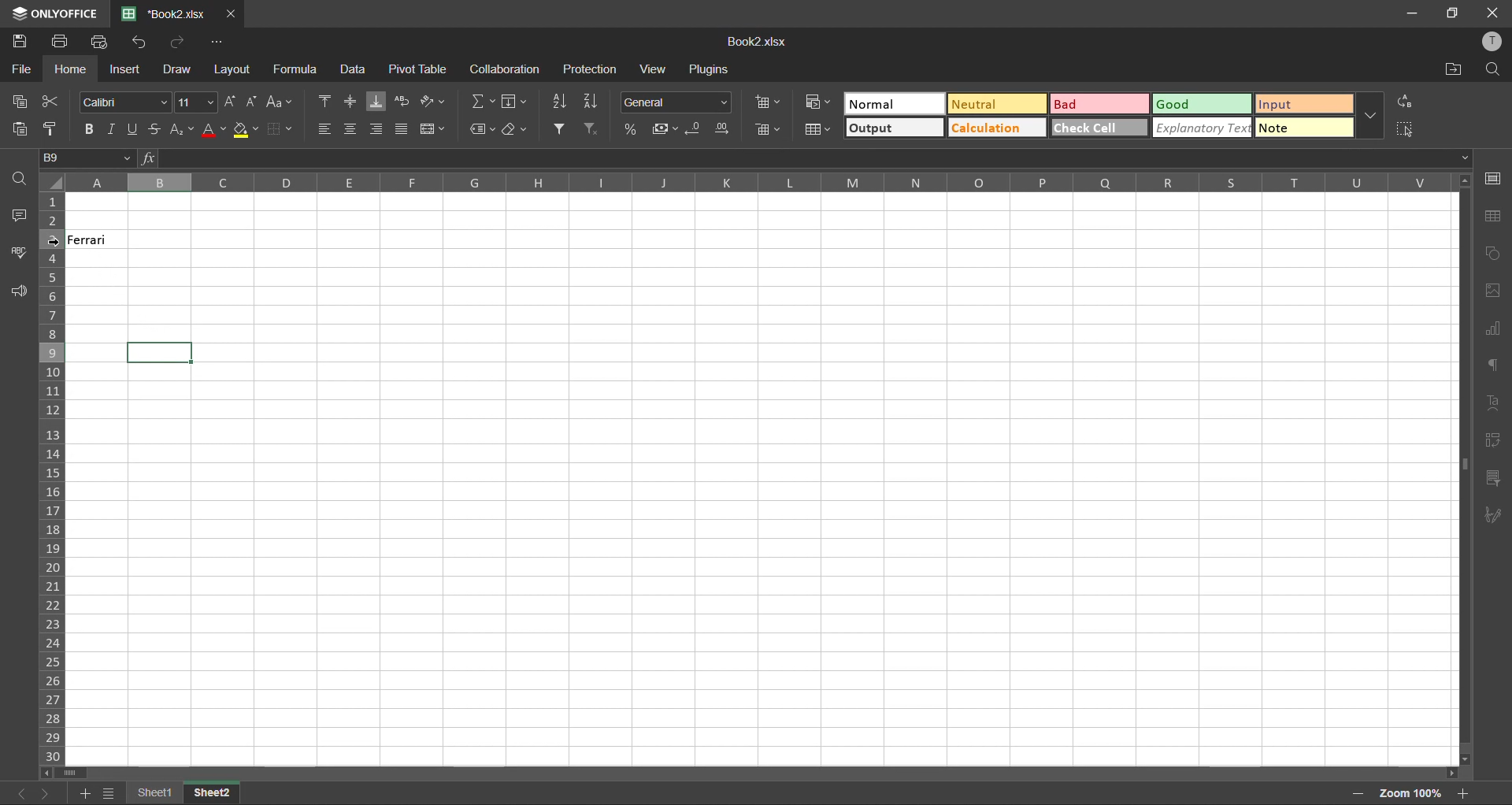  What do you see at coordinates (21, 180) in the screenshot?
I see `find` at bounding box center [21, 180].